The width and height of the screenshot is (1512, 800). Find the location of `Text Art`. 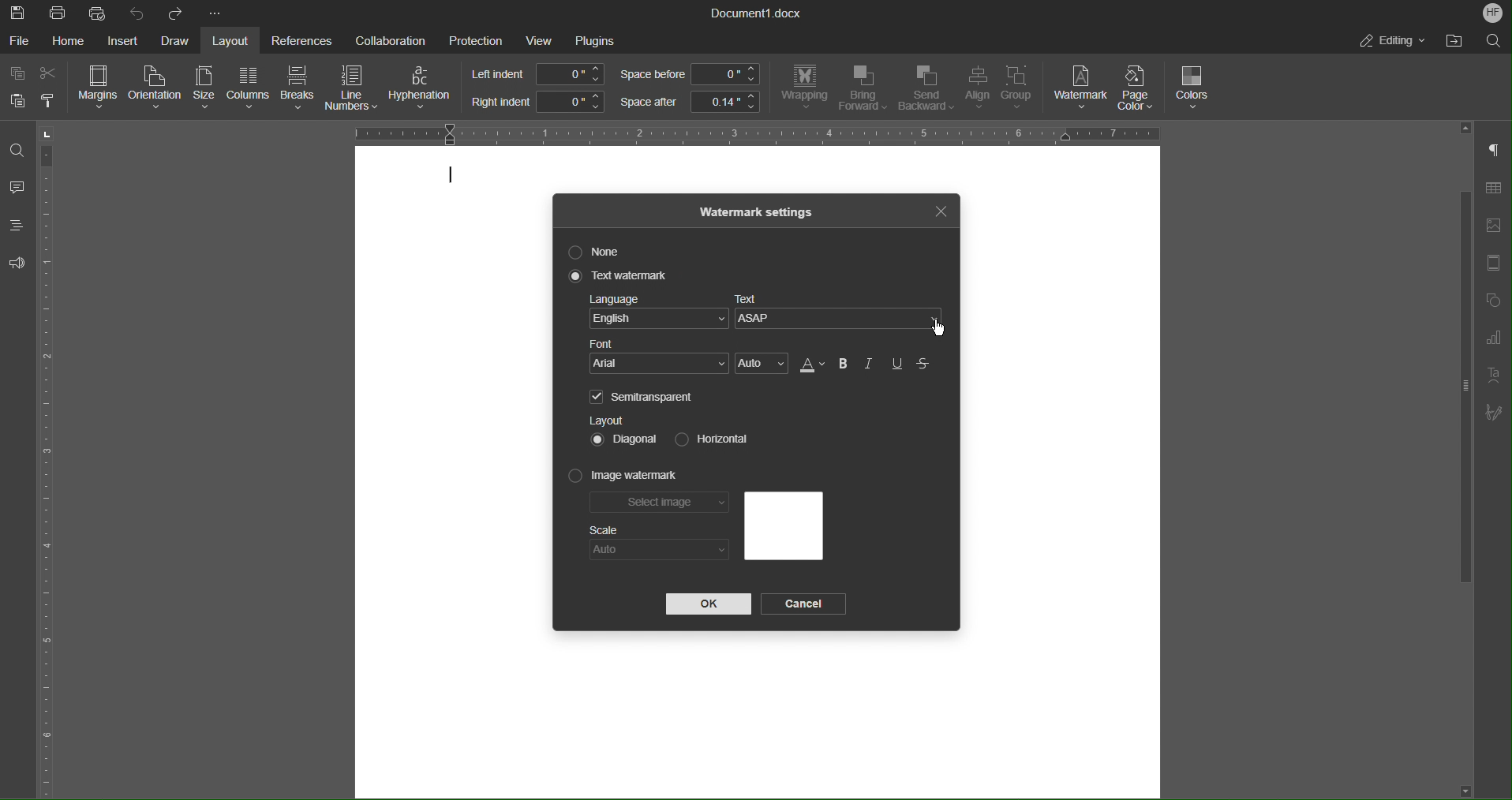

Text Art is located at coordinates (1491, 376).